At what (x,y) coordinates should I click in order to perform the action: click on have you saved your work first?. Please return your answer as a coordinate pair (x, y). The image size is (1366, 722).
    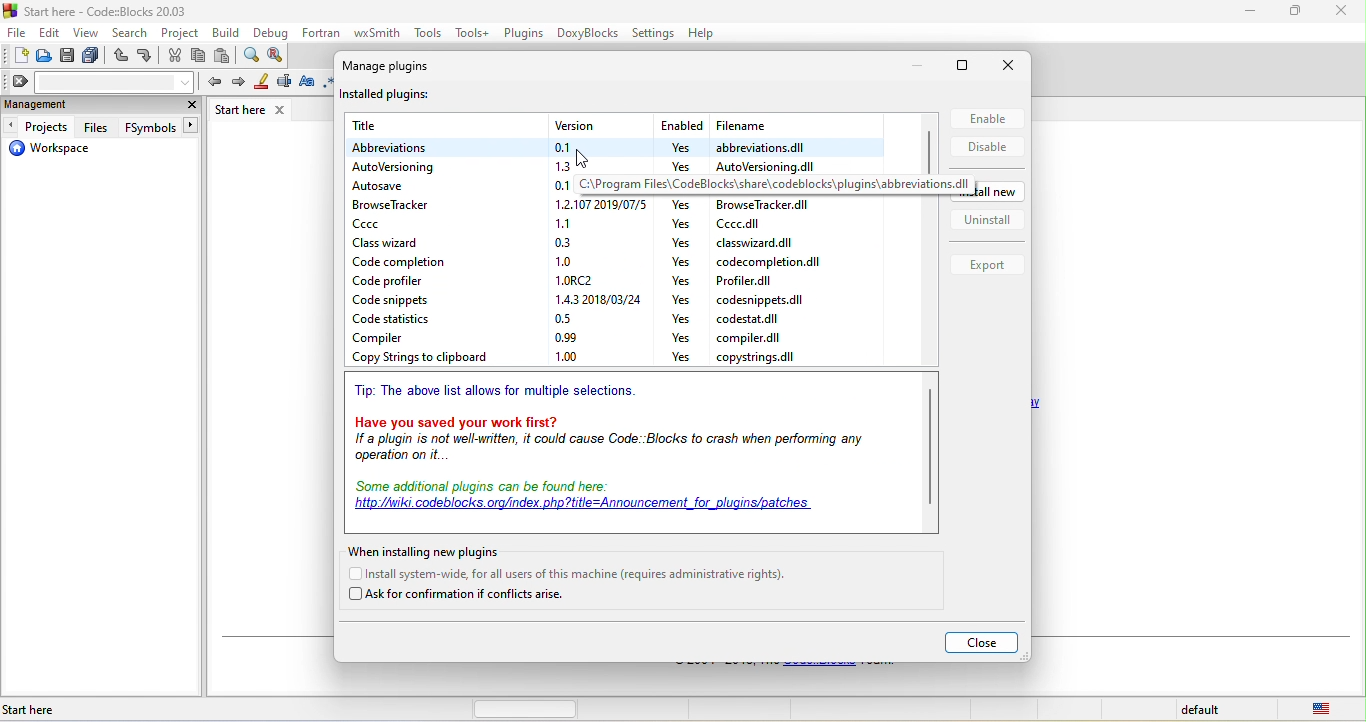
    Looking at the image, I should click on (617, 419).